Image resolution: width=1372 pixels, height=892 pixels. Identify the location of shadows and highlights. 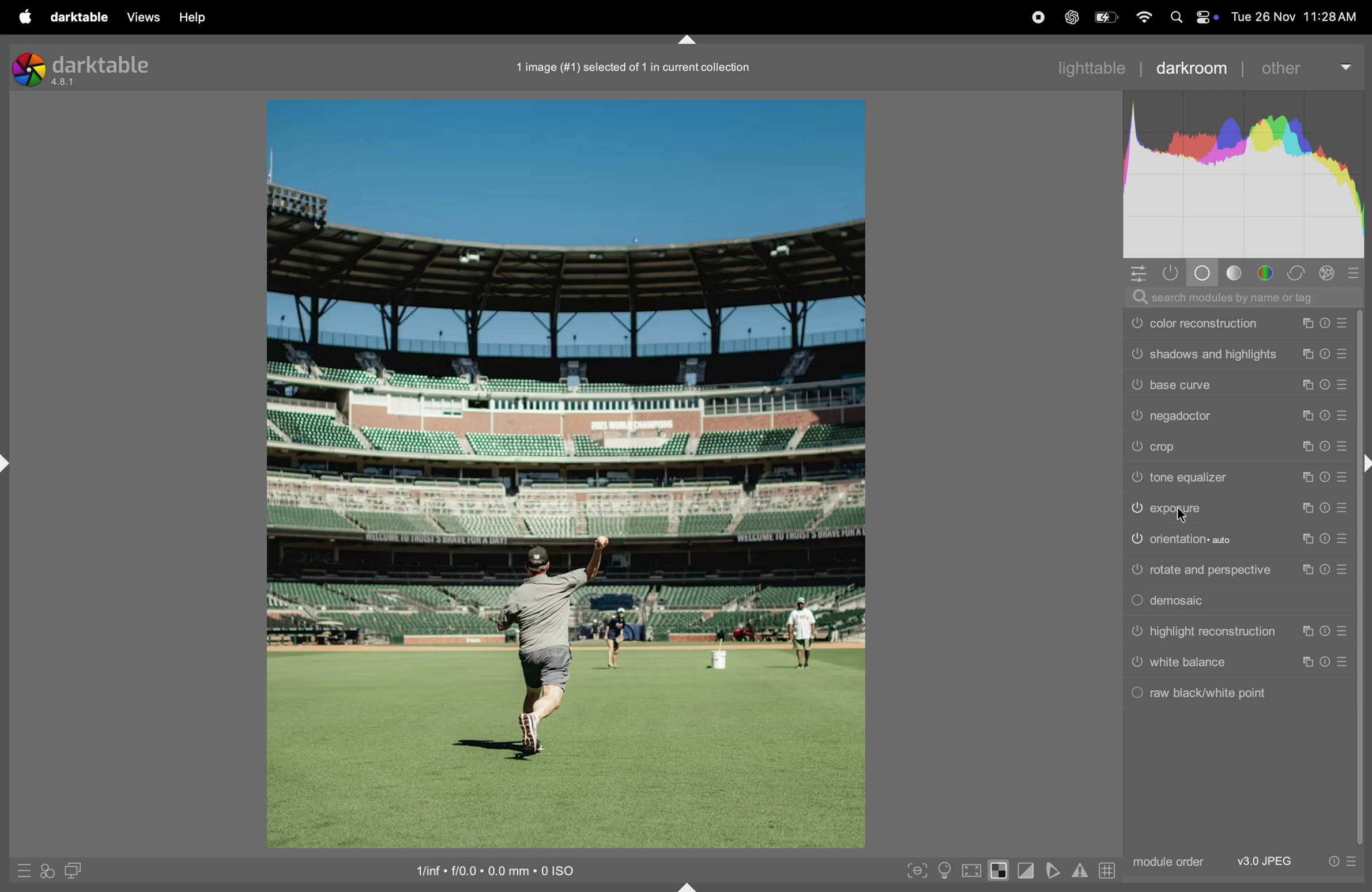
(1215, 353).